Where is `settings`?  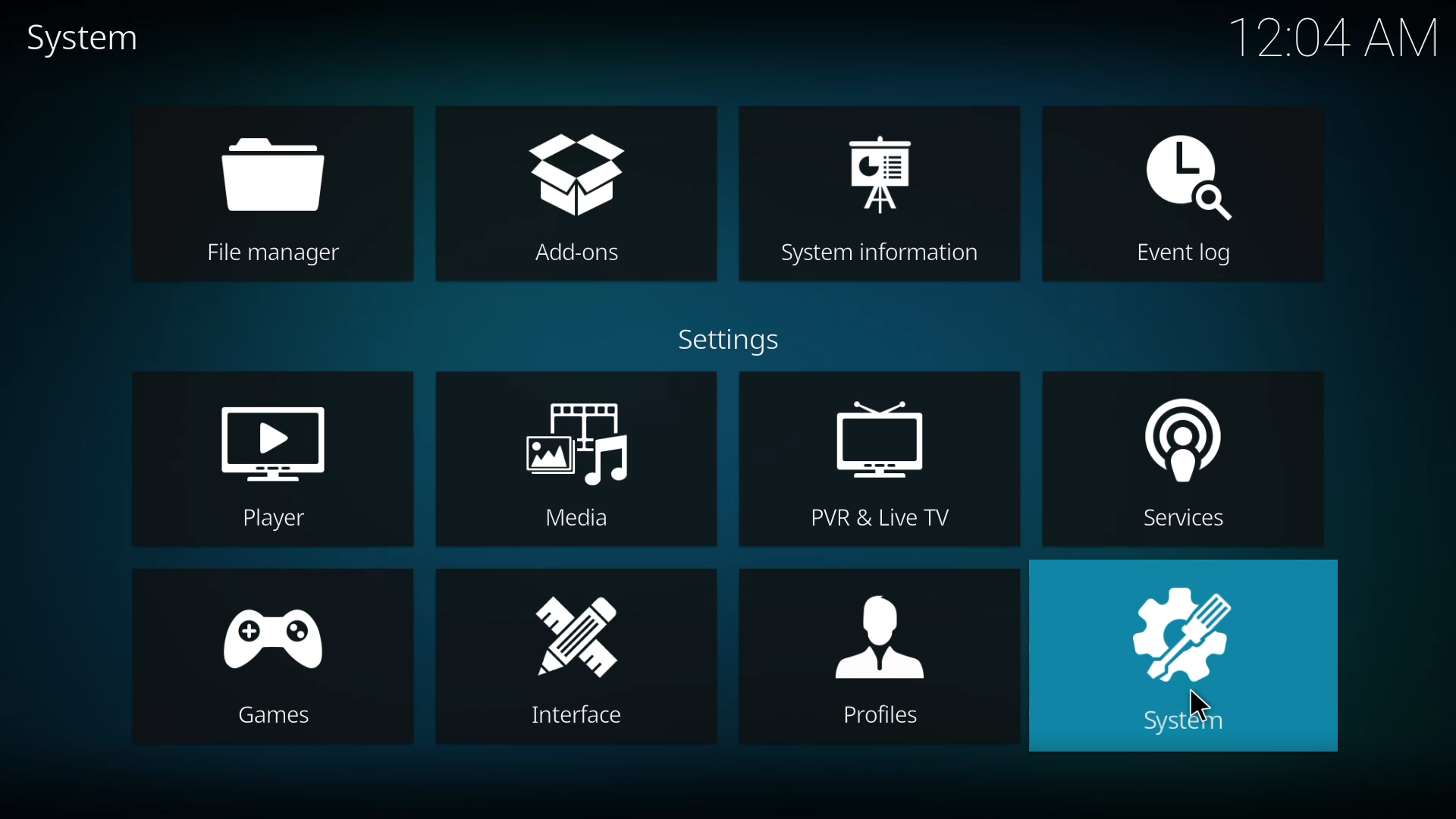 settings is located at coordinates (723, 340).